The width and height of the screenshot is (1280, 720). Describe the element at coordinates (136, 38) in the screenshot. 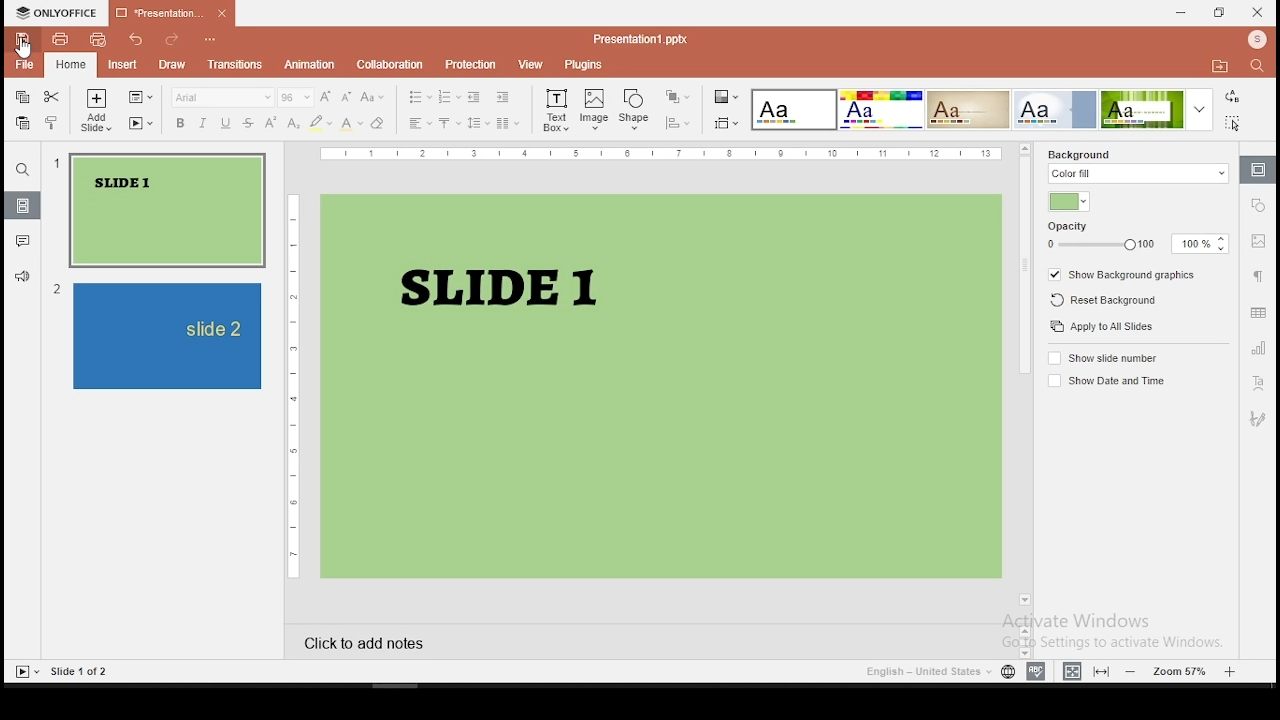

I see `undo` at that location.